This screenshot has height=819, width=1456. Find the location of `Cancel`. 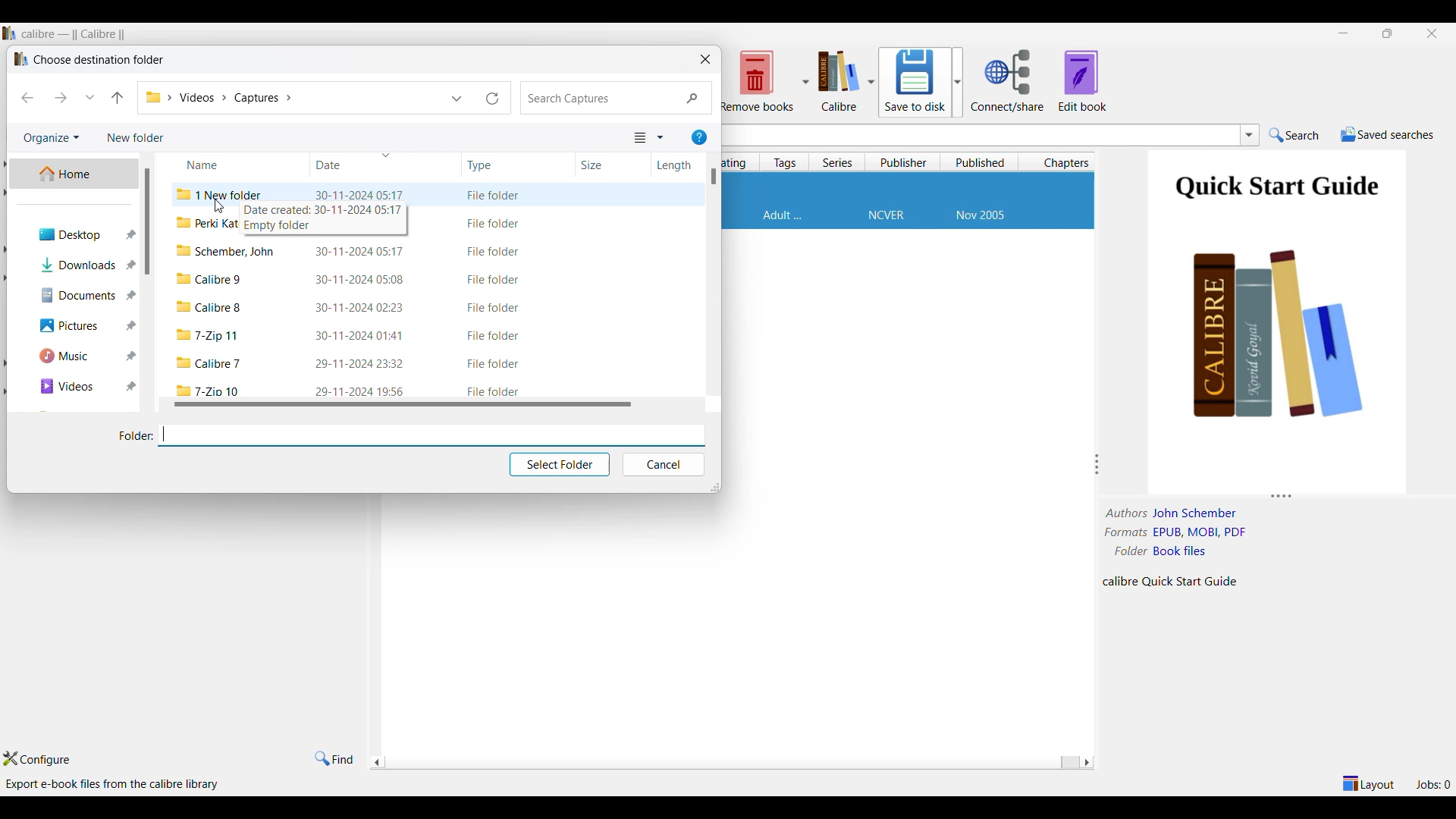

Cancel is located at coordinates (663, 465).